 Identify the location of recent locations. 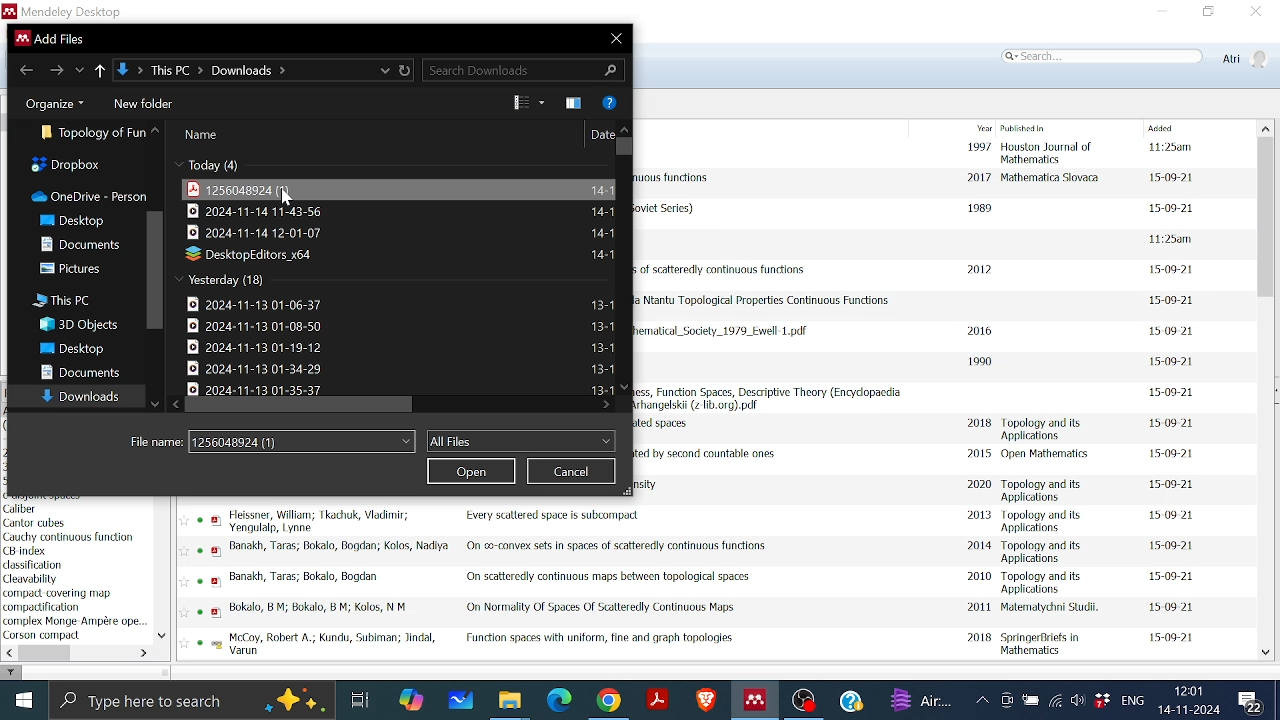
(80, 67).